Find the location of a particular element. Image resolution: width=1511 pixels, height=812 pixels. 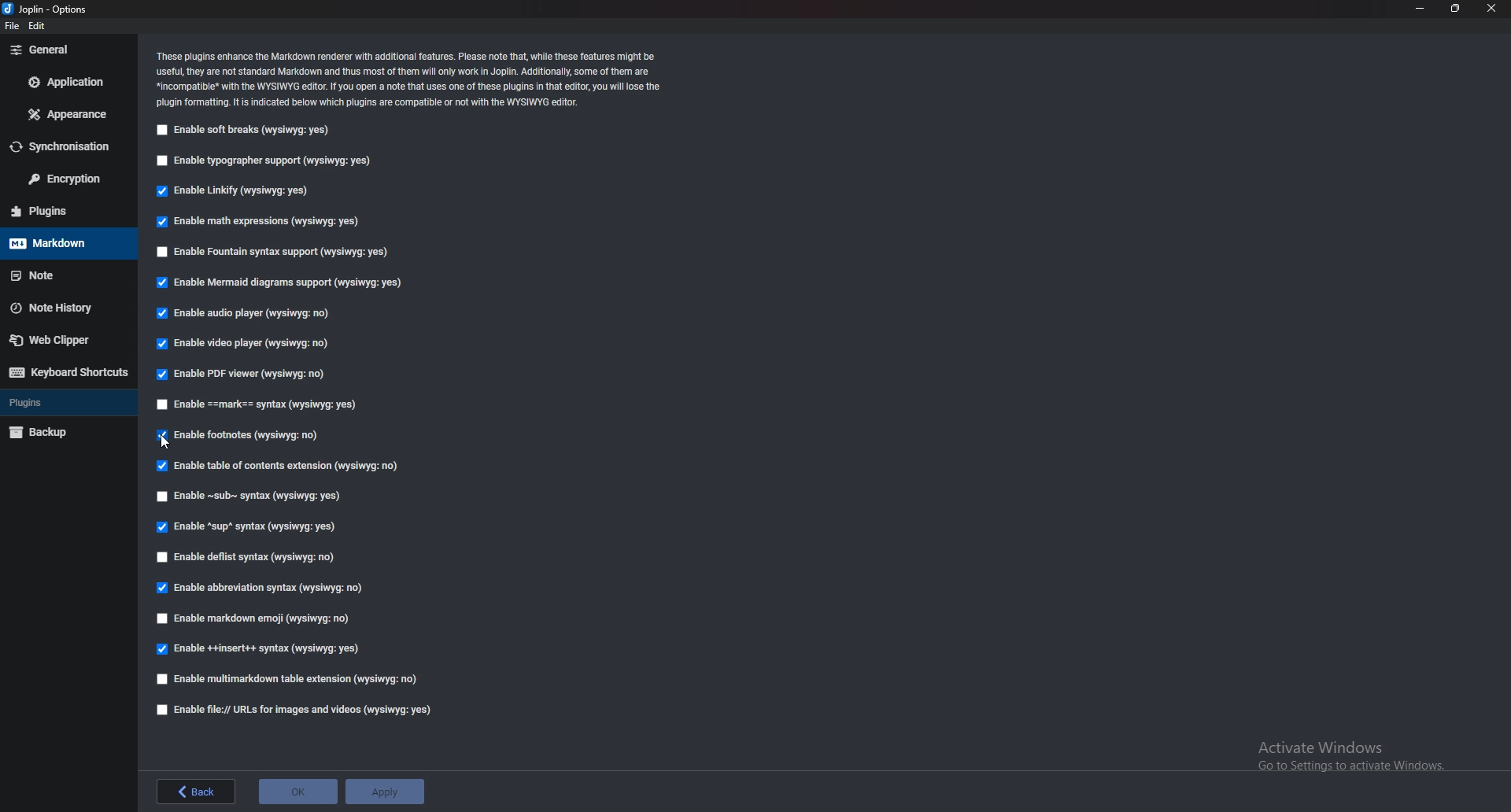

close is located at coordinates (1494, 8).